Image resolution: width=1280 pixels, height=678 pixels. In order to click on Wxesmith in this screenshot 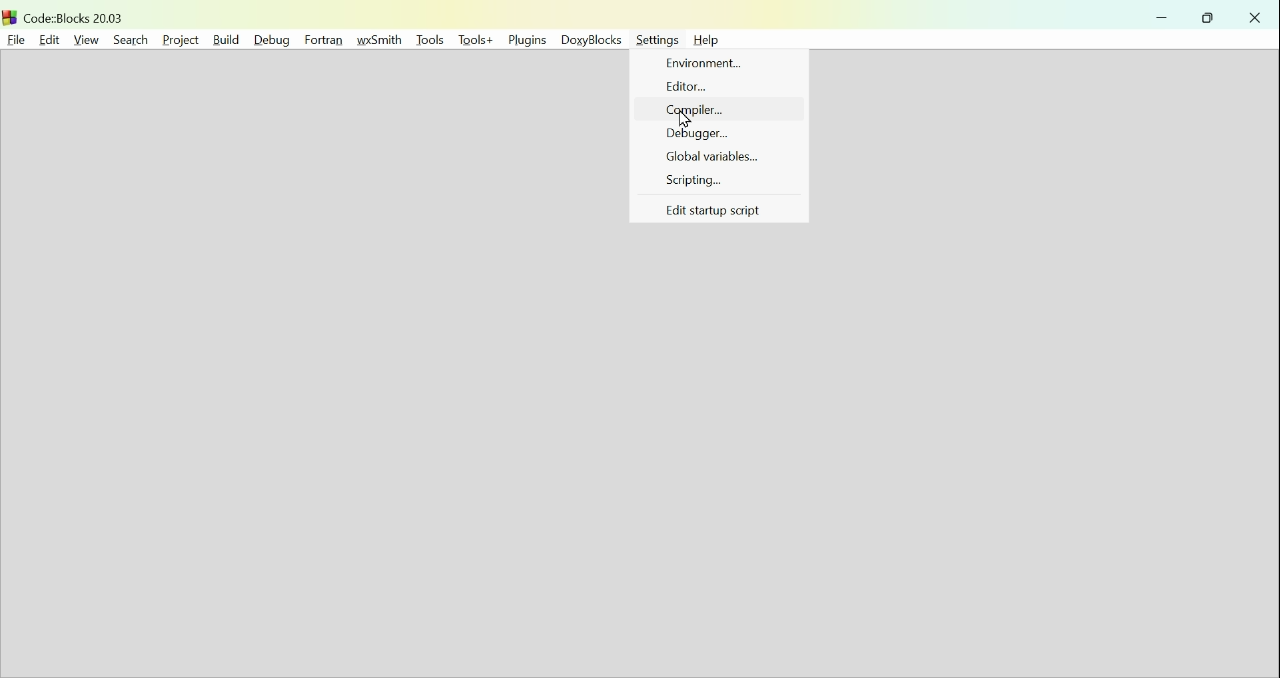, I will do `click(382, 40)`.